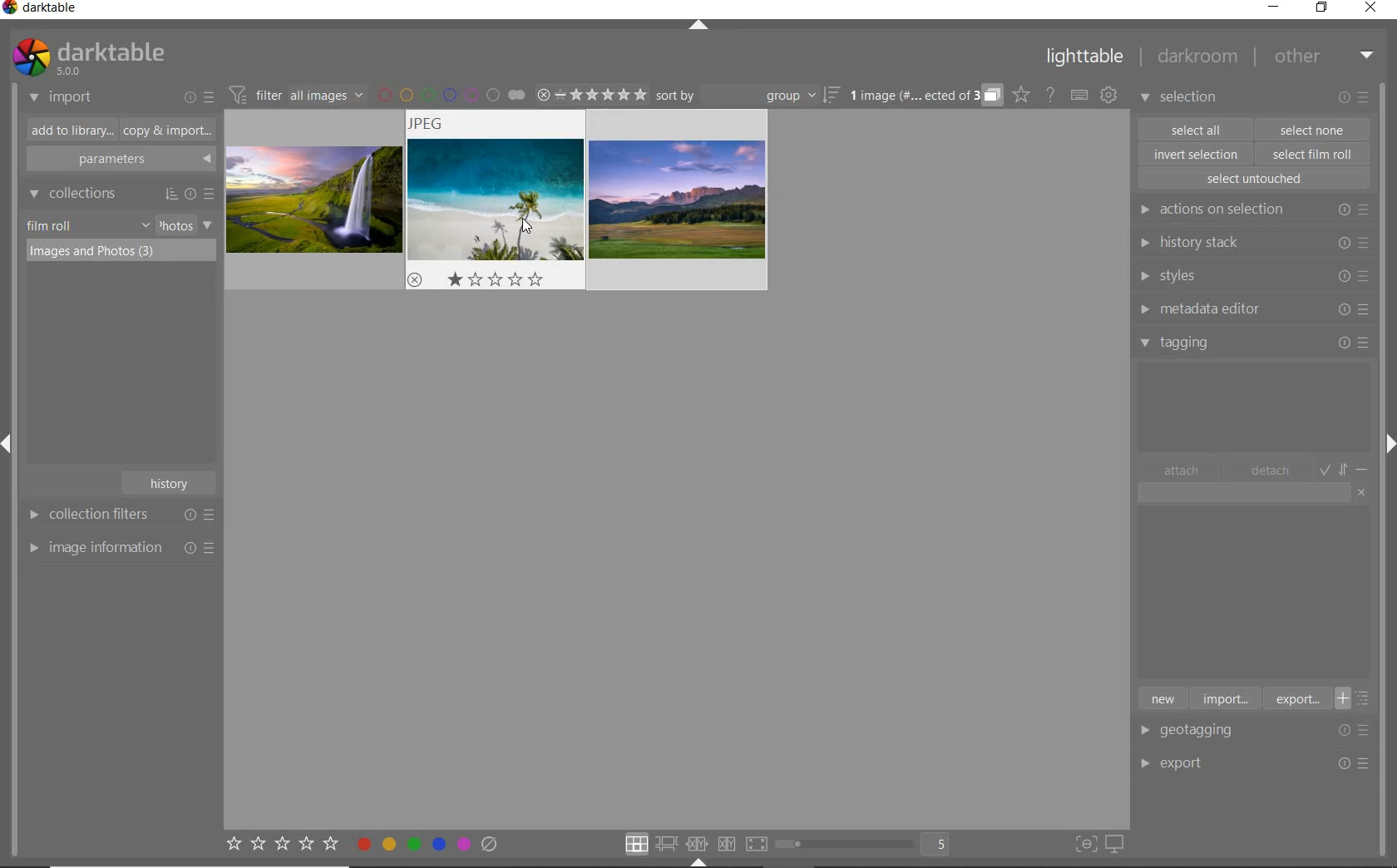 Image resolution: width=1397 pixels, height=868 pixels. Describe the element at coordinates (428, 843) in the screenshot. I see `toggle color label of selected images` at that location.